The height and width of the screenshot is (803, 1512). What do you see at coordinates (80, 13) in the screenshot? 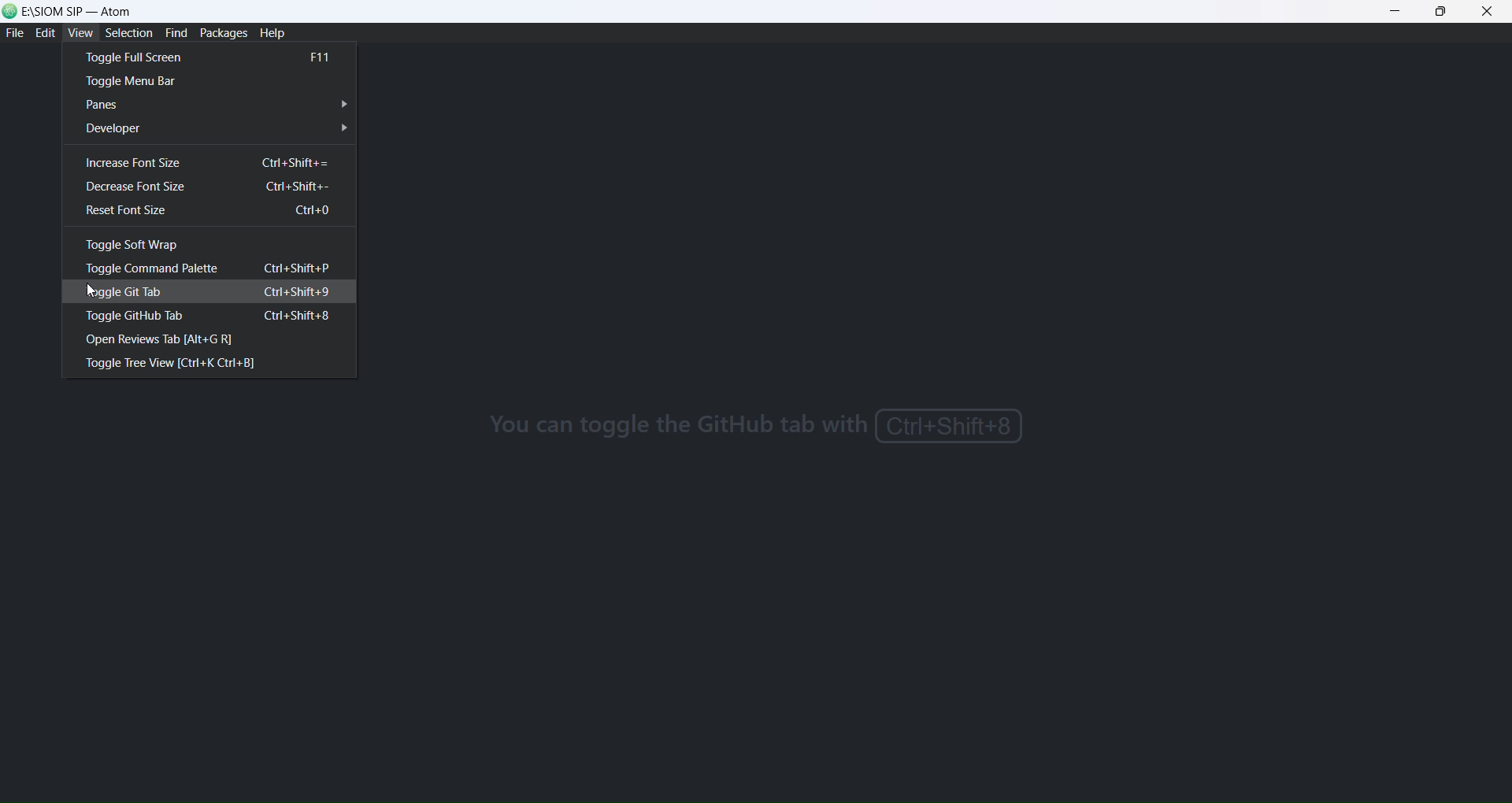
I see `E:/SIOM SIP - atom` at bounding box center [80, 13].